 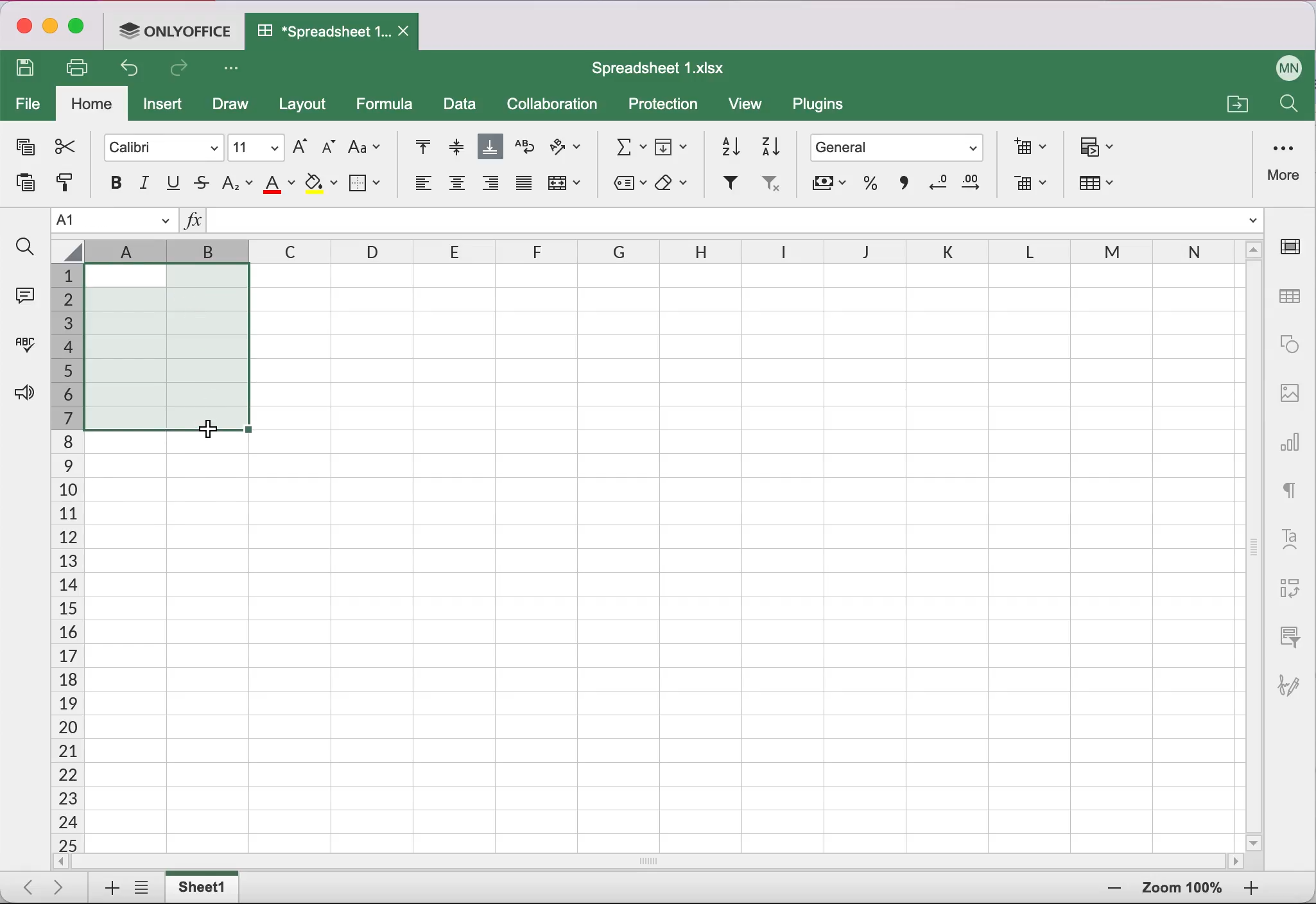 What do you see at coordinates (182, 71) in the screenshot?
I see `redo` at bounding box center [182, 71].